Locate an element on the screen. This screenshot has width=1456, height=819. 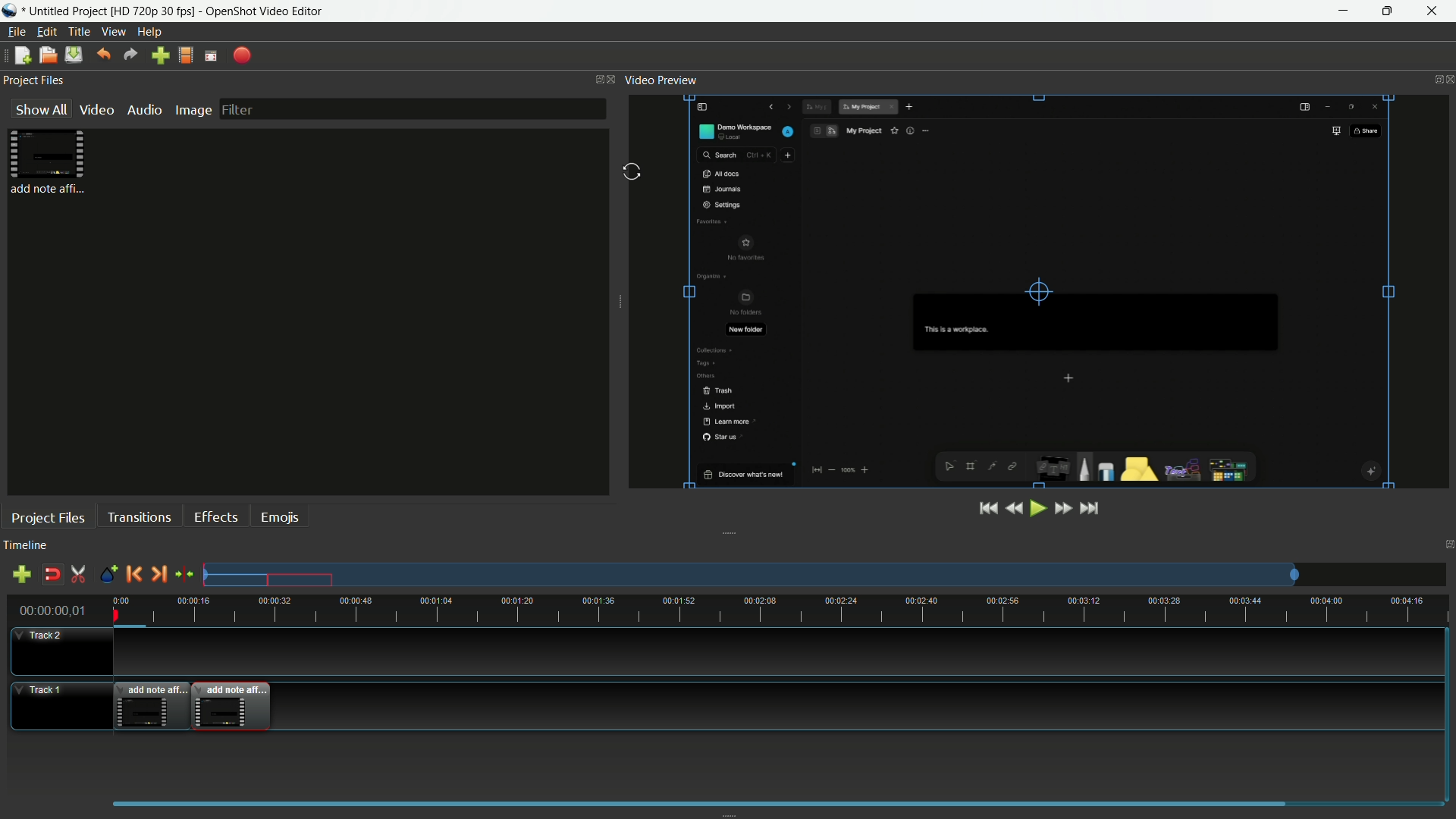
video in track-1 is located at coordinates (152, 704).